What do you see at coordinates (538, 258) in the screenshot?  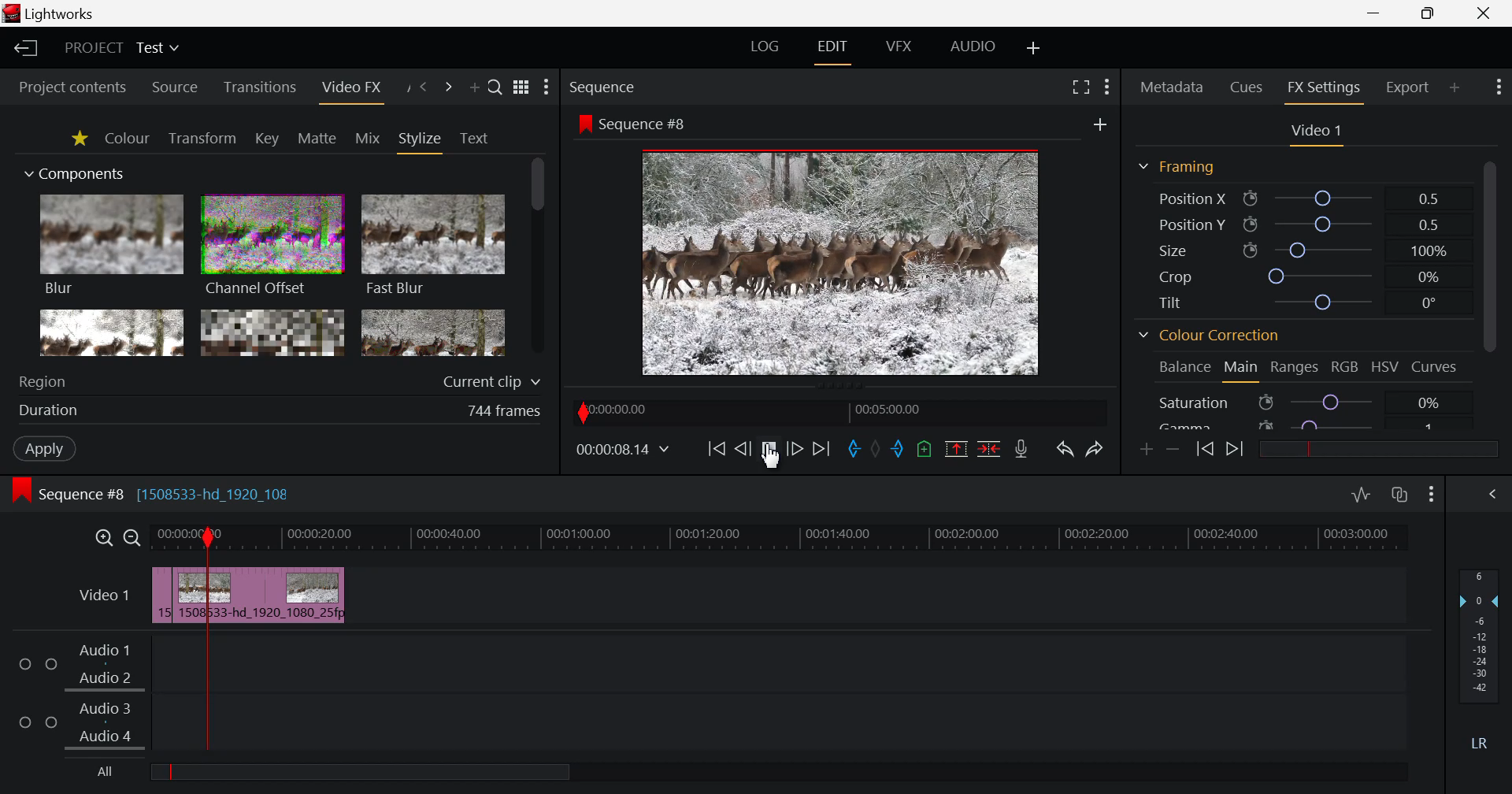 I see `Scroll Bar` at bounding box center [538, 258].